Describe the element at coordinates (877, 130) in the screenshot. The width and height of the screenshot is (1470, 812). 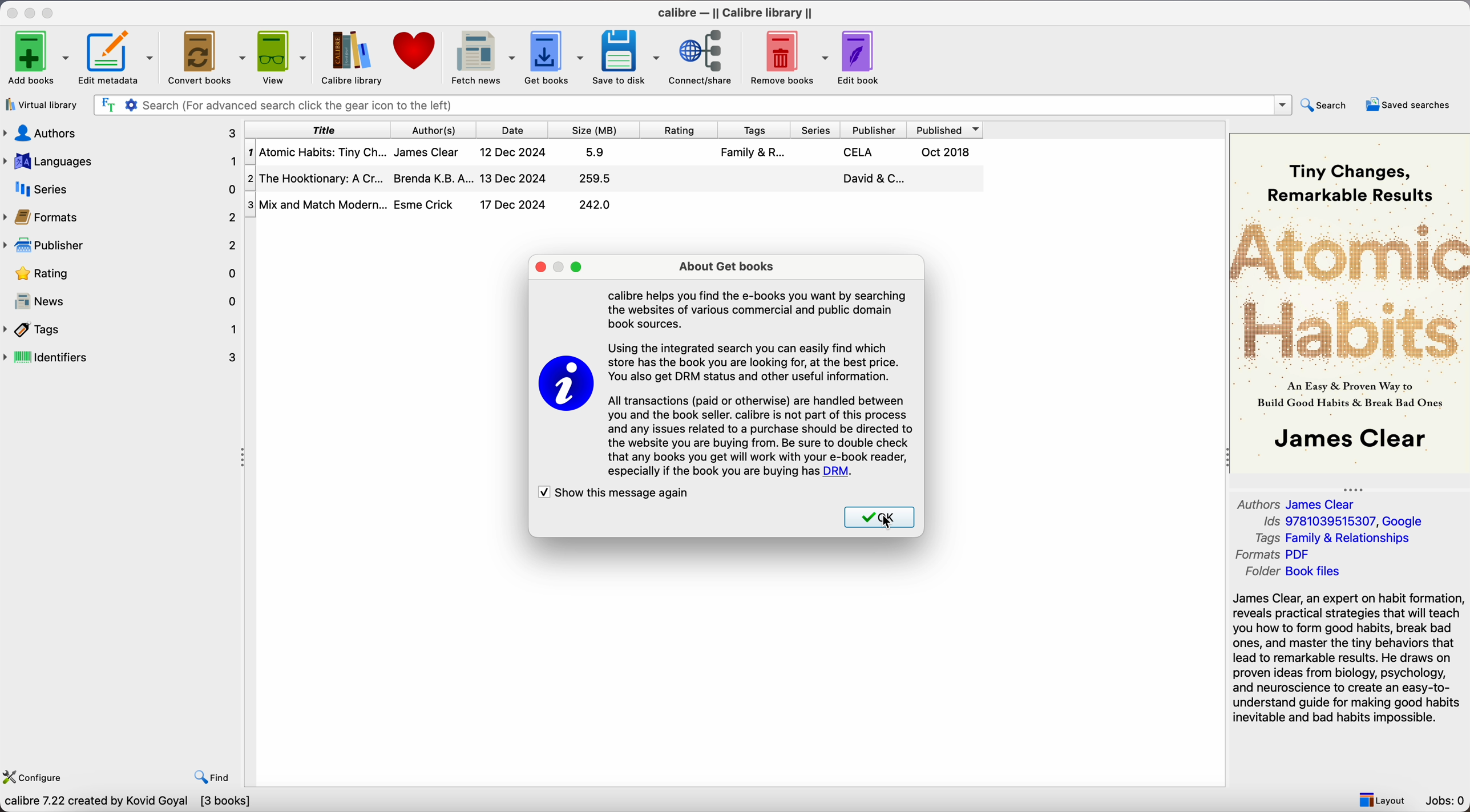
I see `publisher` at that location.